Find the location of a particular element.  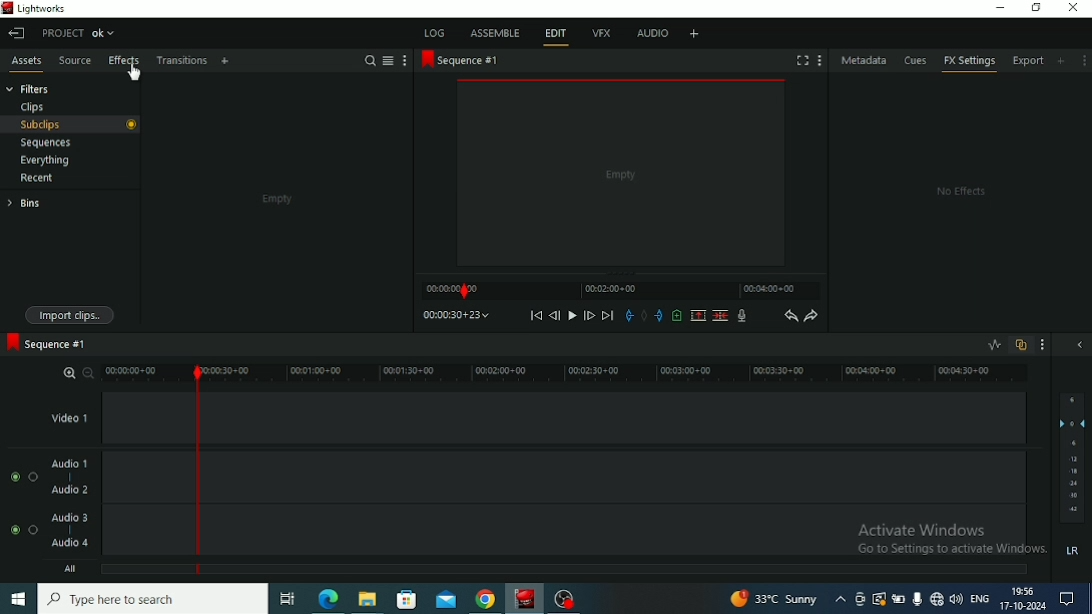

Zoom Out is located at coordinates (89, 372).